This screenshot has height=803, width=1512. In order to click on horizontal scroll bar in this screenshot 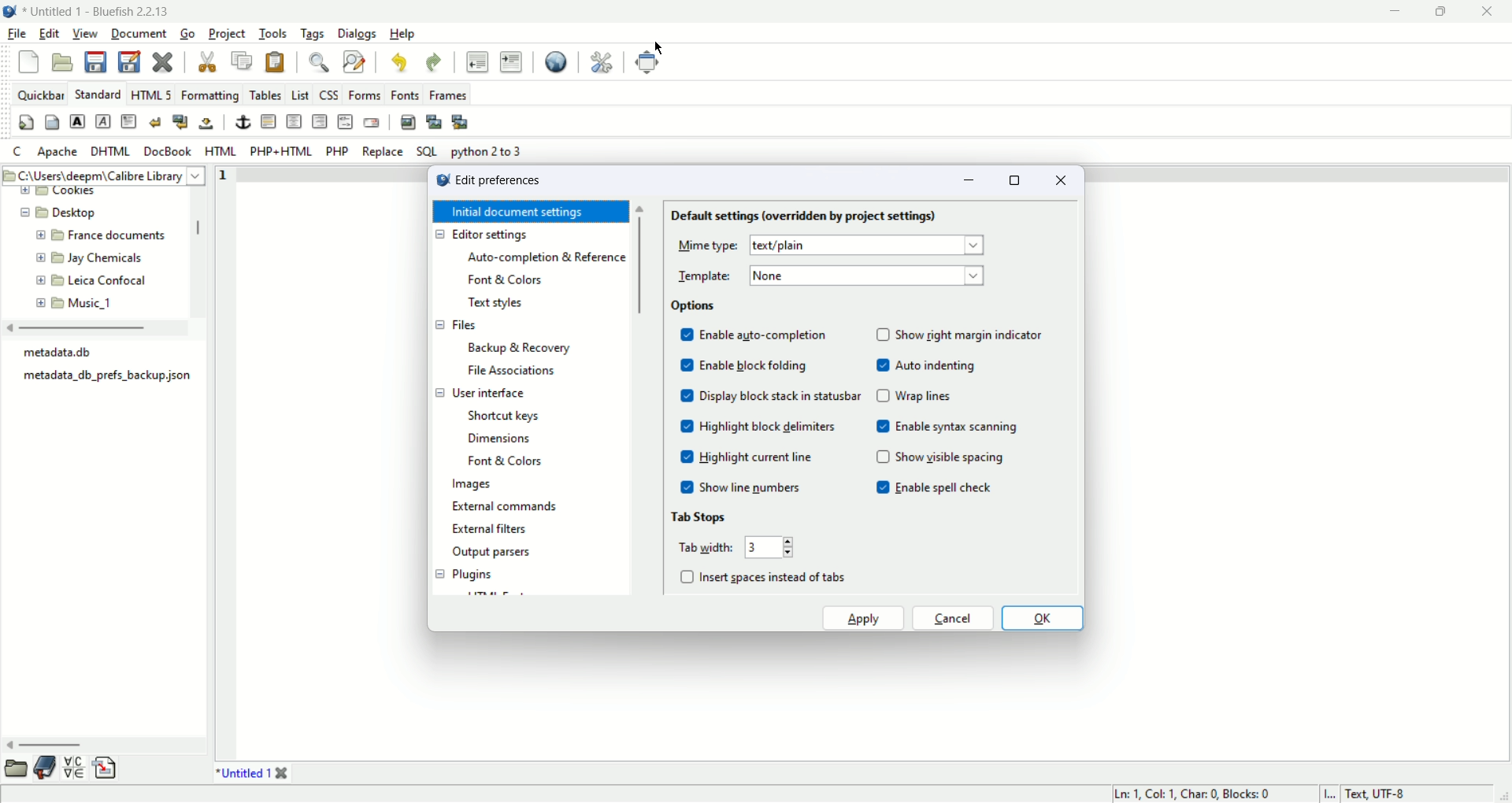, I will do `click(42, 747)`.